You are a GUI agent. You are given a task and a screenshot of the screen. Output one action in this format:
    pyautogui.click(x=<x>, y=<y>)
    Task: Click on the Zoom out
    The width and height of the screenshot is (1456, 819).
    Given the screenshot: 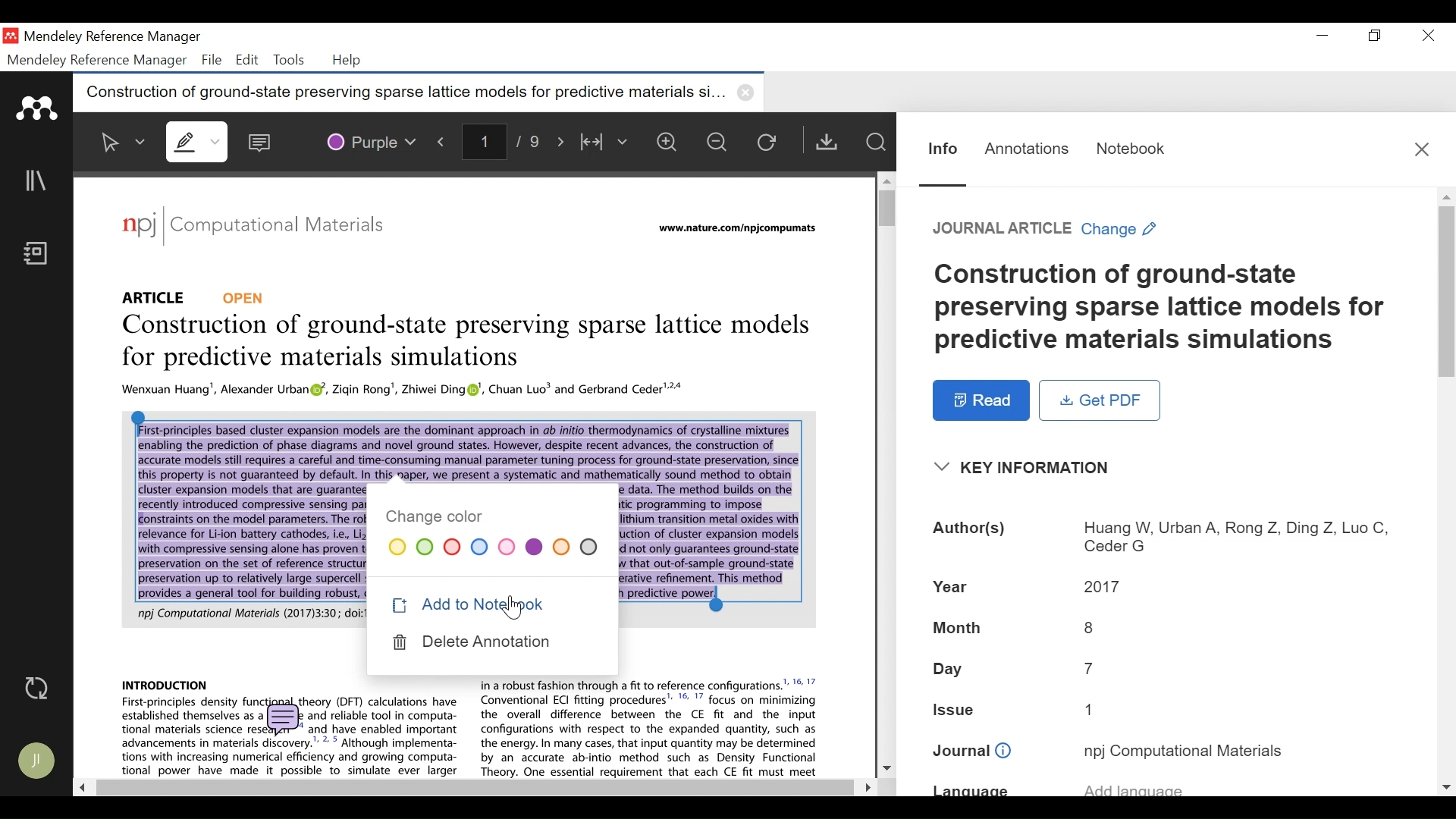 What is the action you would take?
    pyautogui.click(x=718, y=141)
    